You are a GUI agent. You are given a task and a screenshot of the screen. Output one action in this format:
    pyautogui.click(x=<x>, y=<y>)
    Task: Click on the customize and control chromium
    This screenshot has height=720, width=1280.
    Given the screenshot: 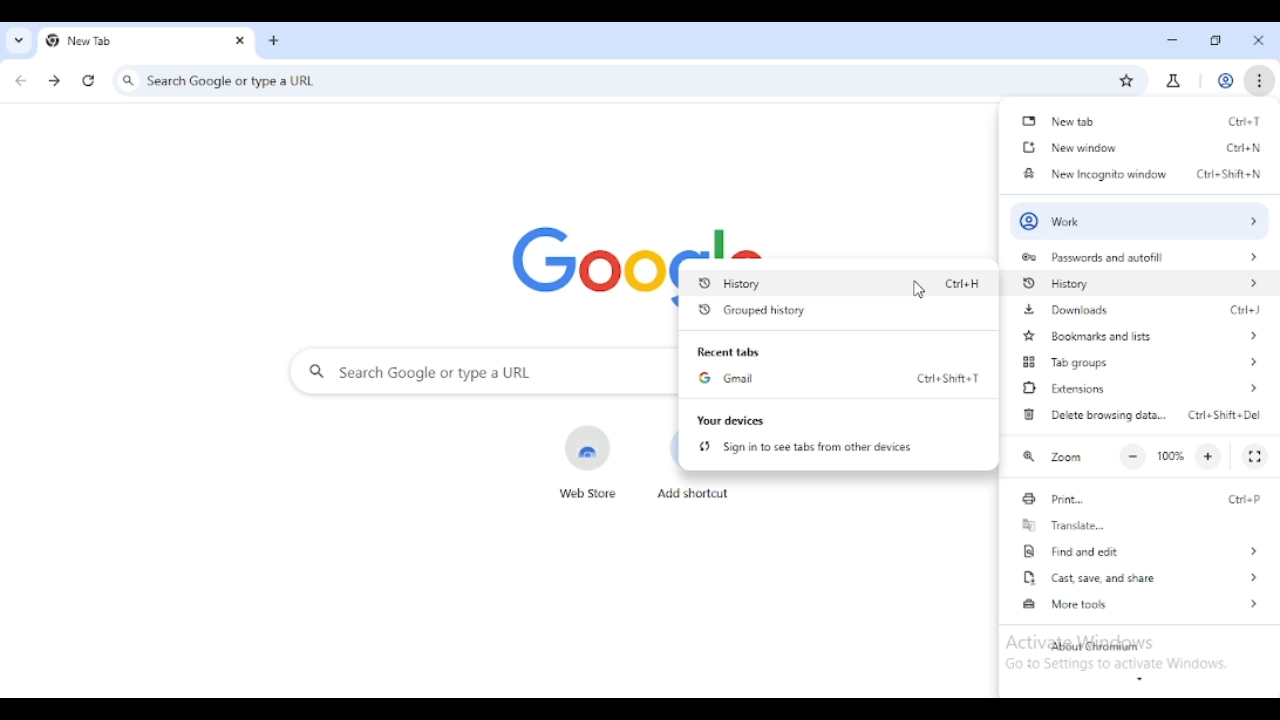 What is the action you would take?
    pyautogui.click(x=1258, y=79)
    